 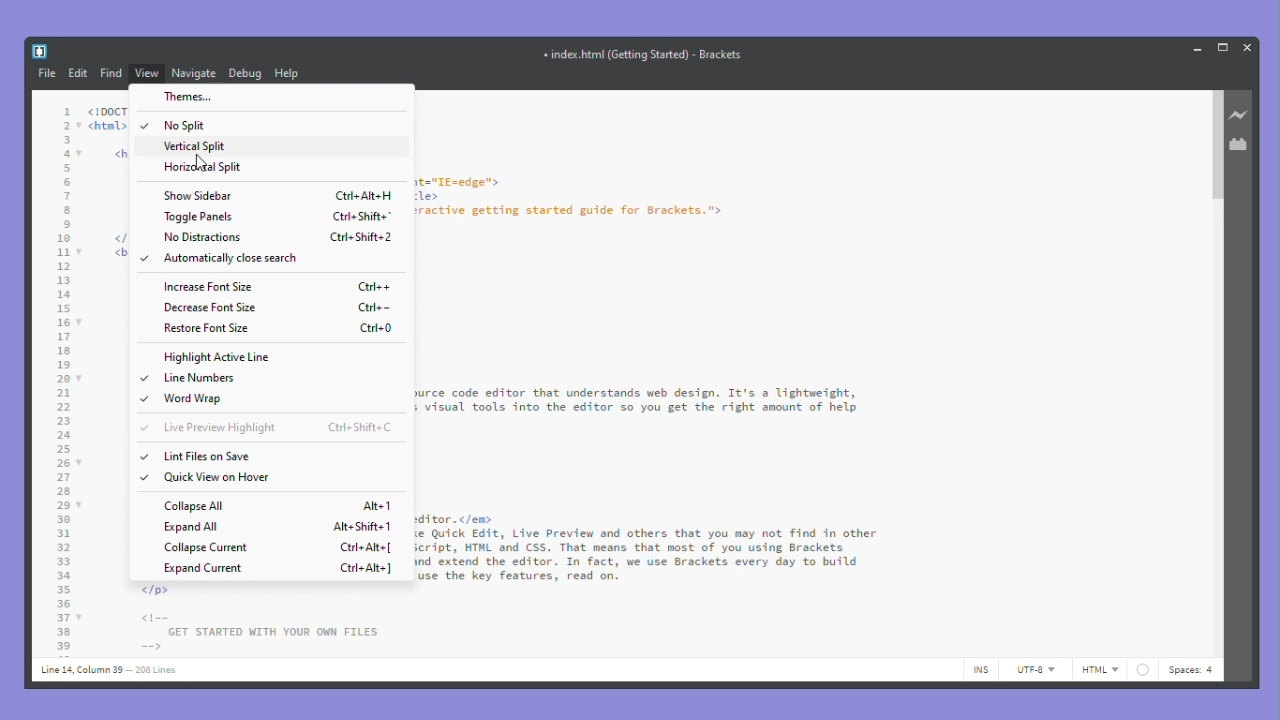 I want to click on Collapse all, so click(x=276, y=505).